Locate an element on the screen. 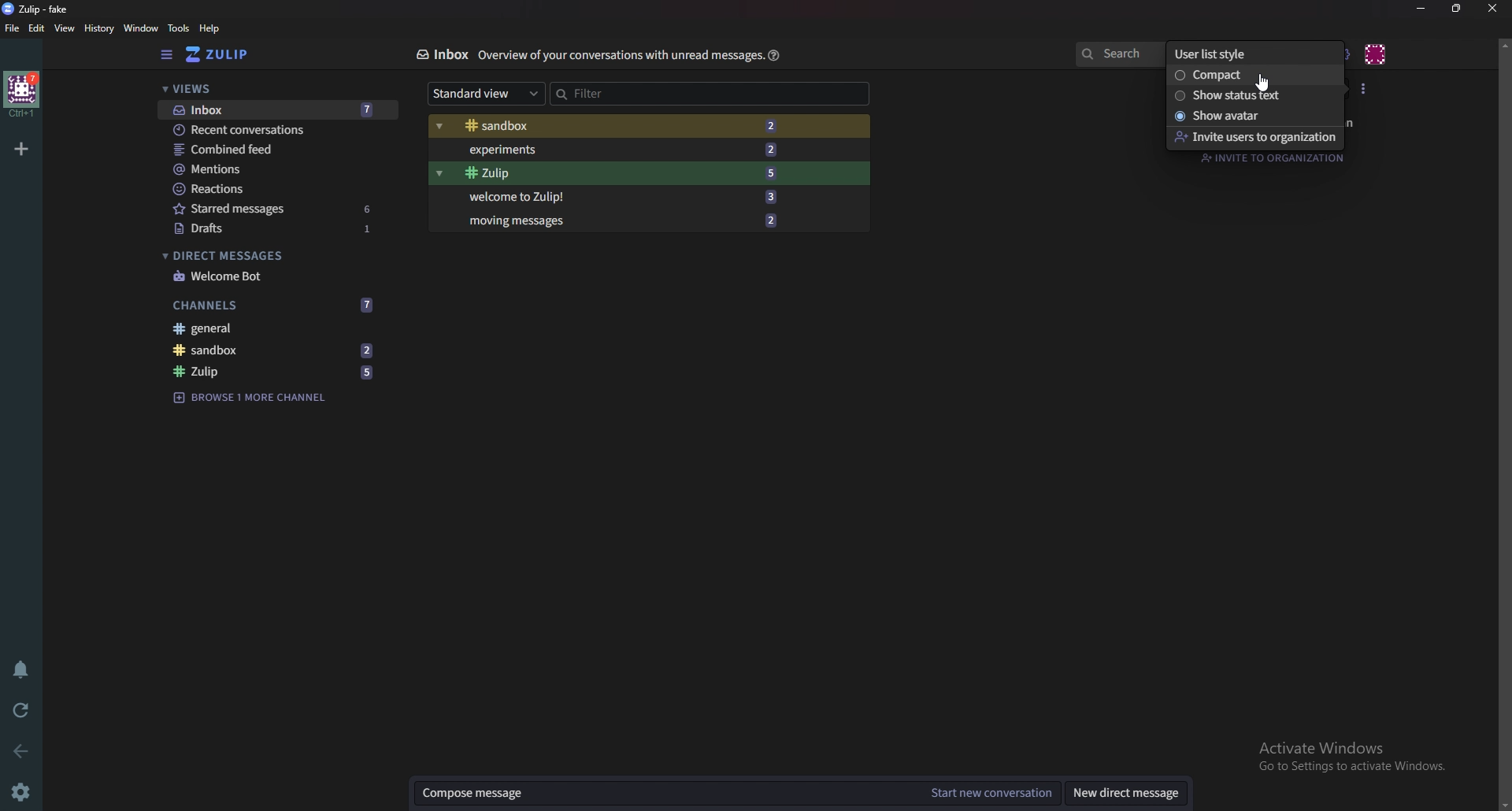  Welcome bot is located at coordinates (275, 276).